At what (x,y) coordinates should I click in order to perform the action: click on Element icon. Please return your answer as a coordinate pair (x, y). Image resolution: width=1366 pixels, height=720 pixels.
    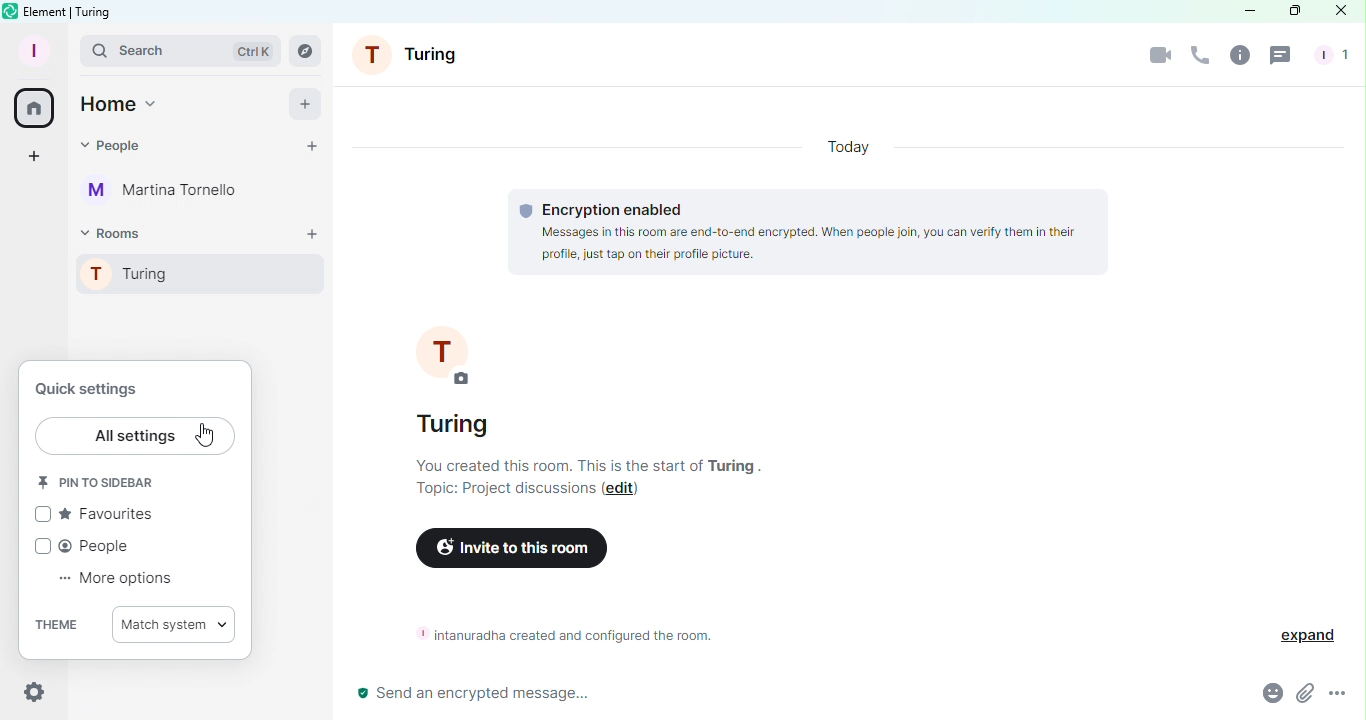
    Looking at the image, I should click on (9, 11).